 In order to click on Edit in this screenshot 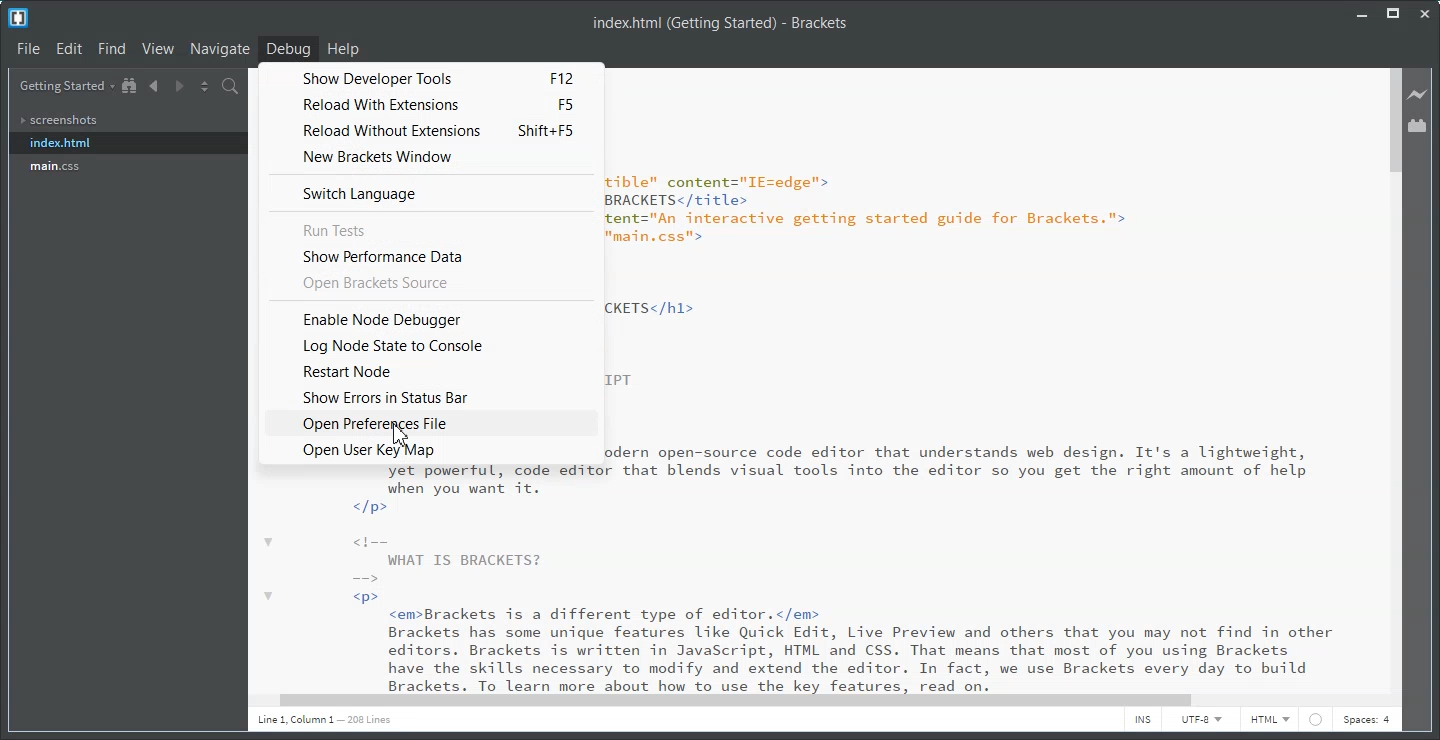, I will do `click(70, 49)`.